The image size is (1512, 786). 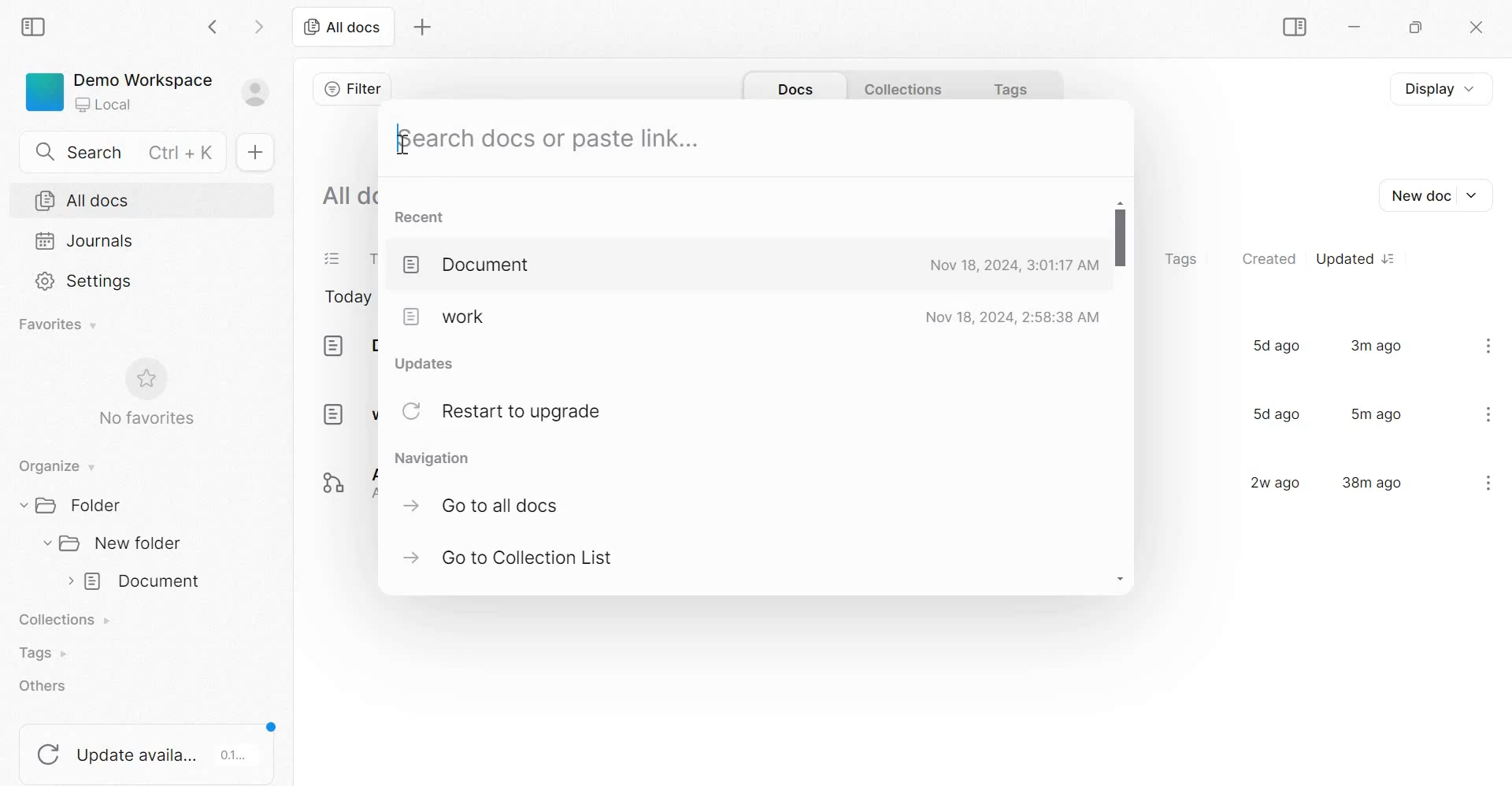 I want to click on search docs or paste link..., so click(x=552, y=138).